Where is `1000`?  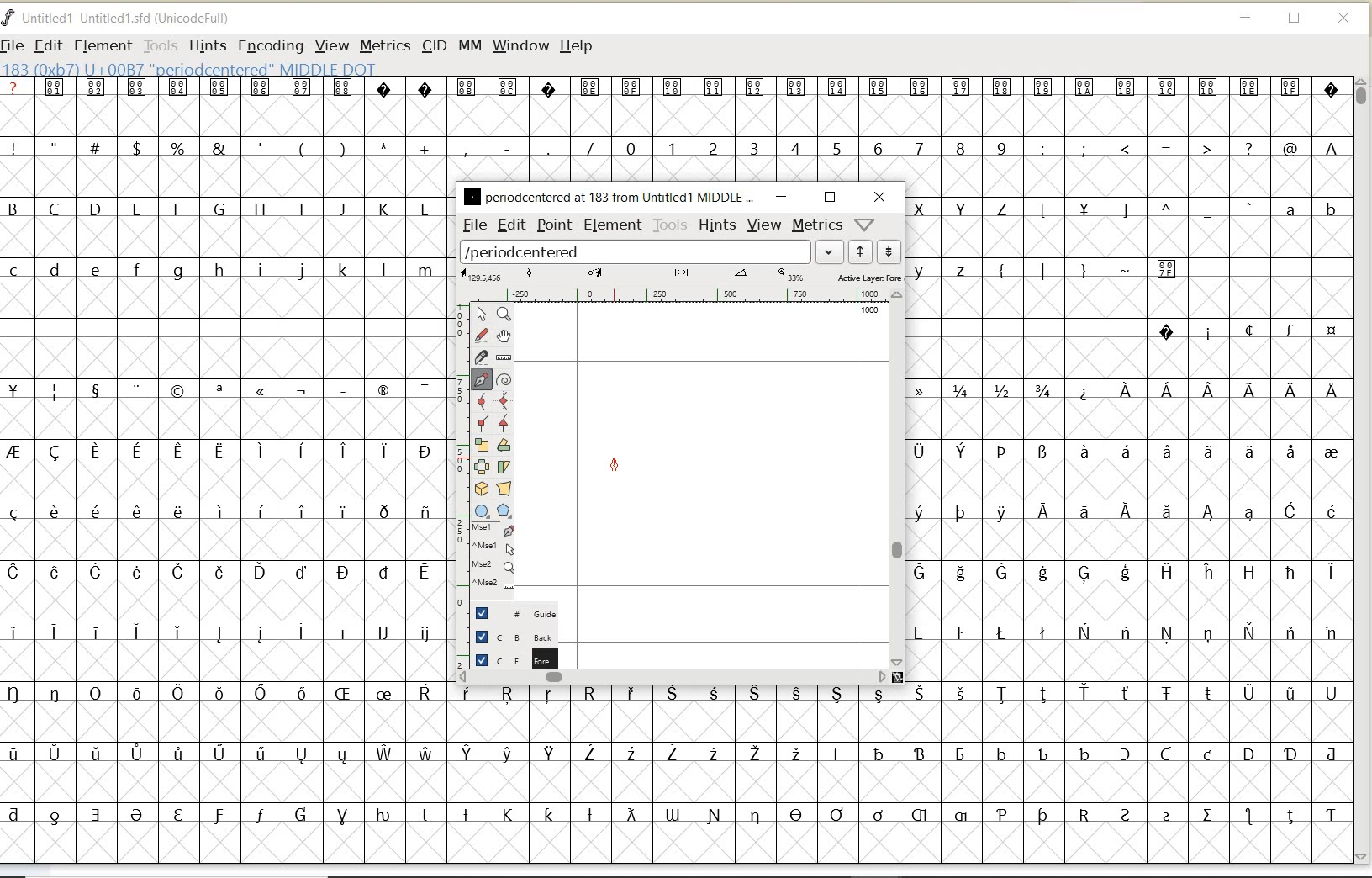 1000 is located at coordinates (868, 312).